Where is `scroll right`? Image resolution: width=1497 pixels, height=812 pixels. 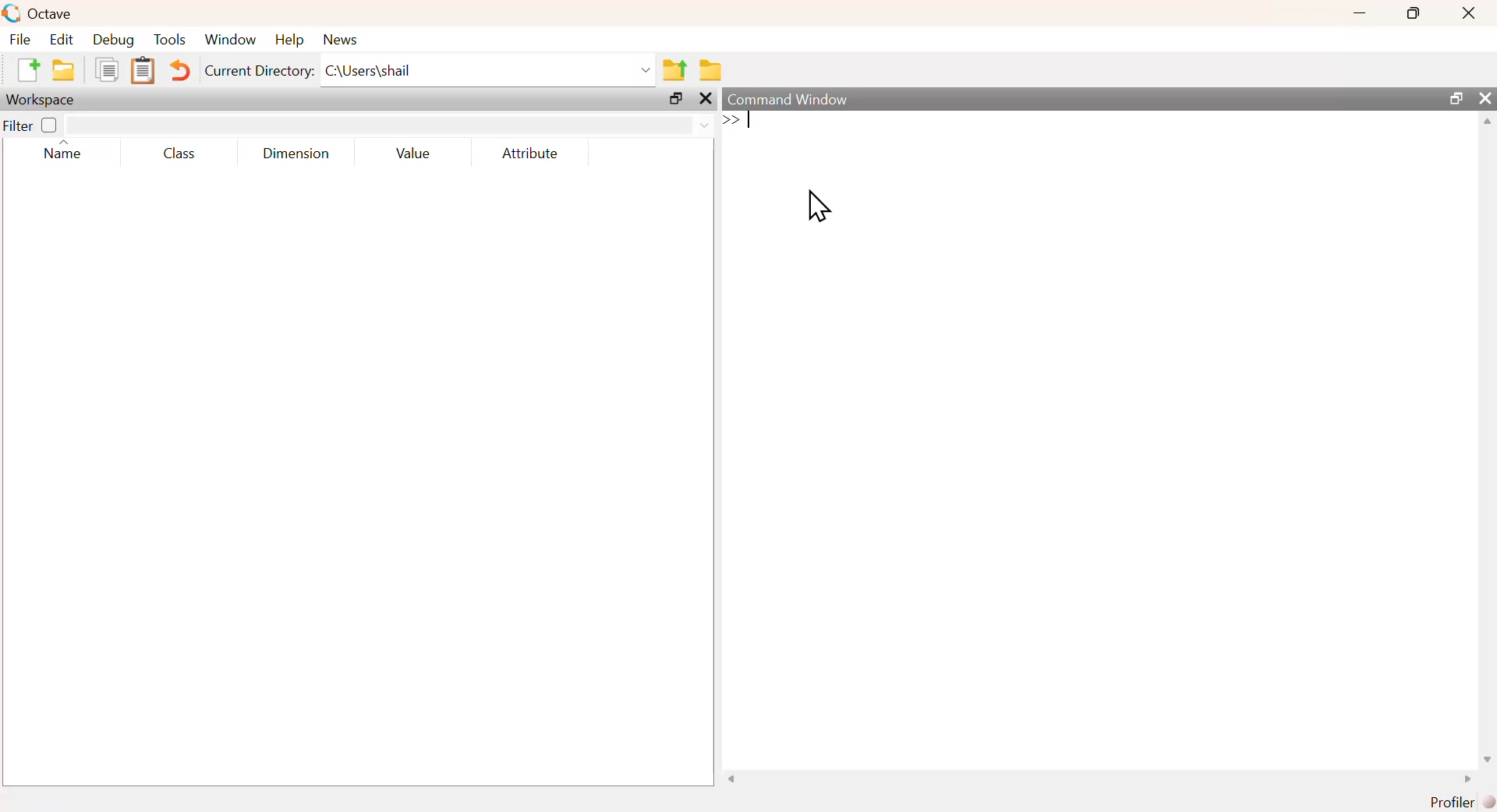 scroll right is located at coordinates (1467, 779).